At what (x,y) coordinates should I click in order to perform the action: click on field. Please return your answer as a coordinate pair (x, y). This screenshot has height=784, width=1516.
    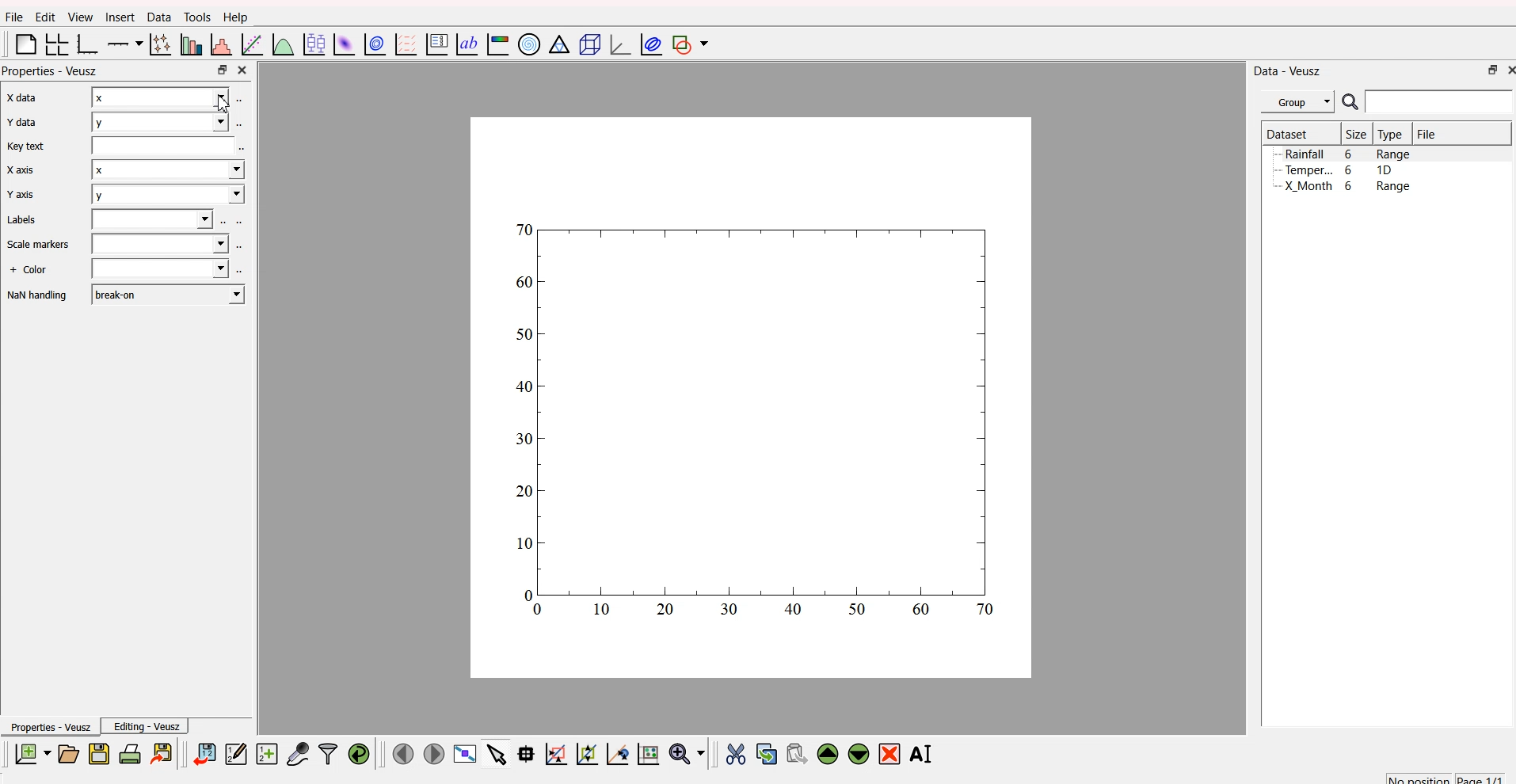
    Looking at the image, I should click on (165, 150).